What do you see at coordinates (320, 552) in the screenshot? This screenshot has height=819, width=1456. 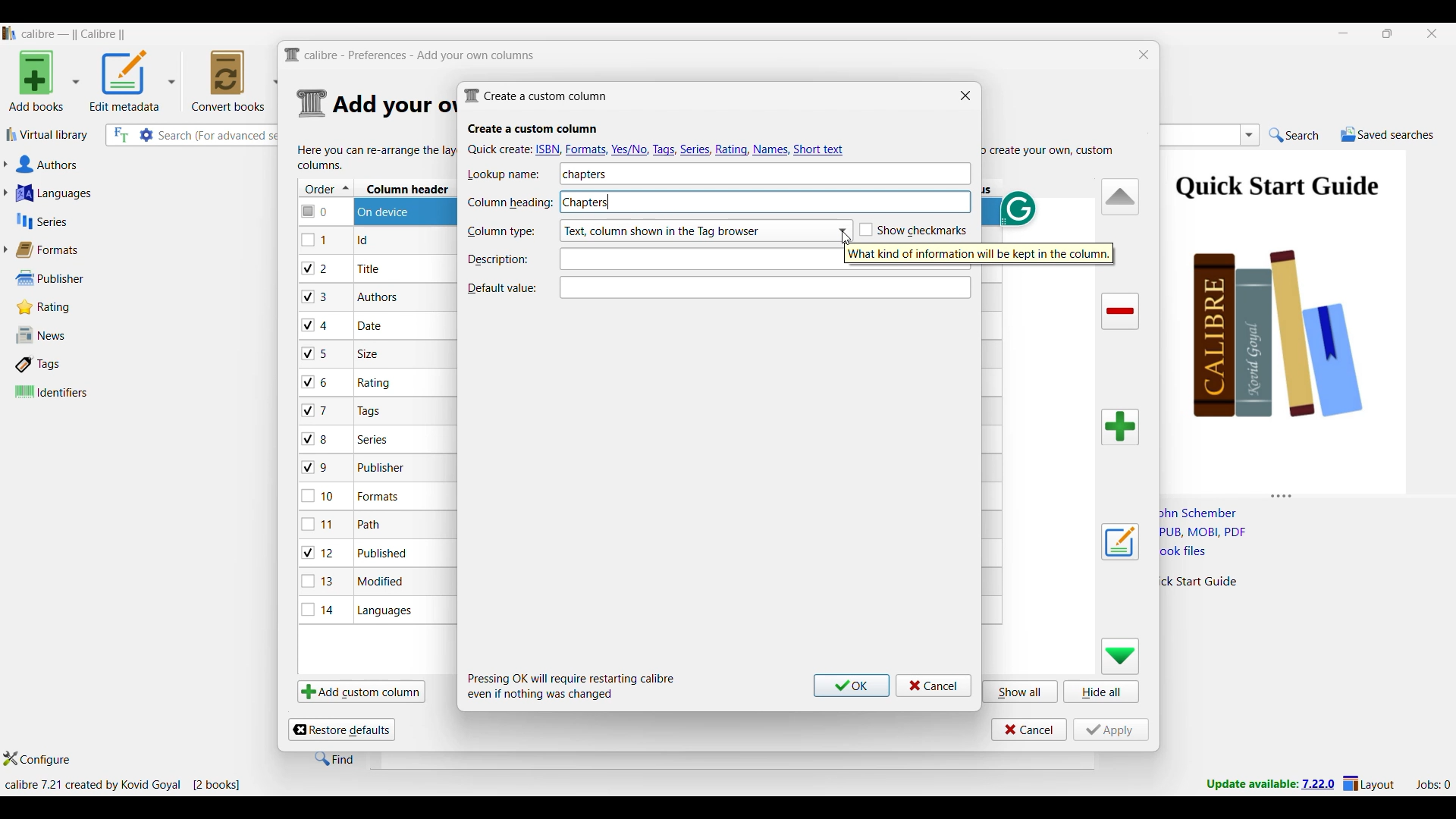 I see `checkbox - 12` at bounding box center [320, 552].